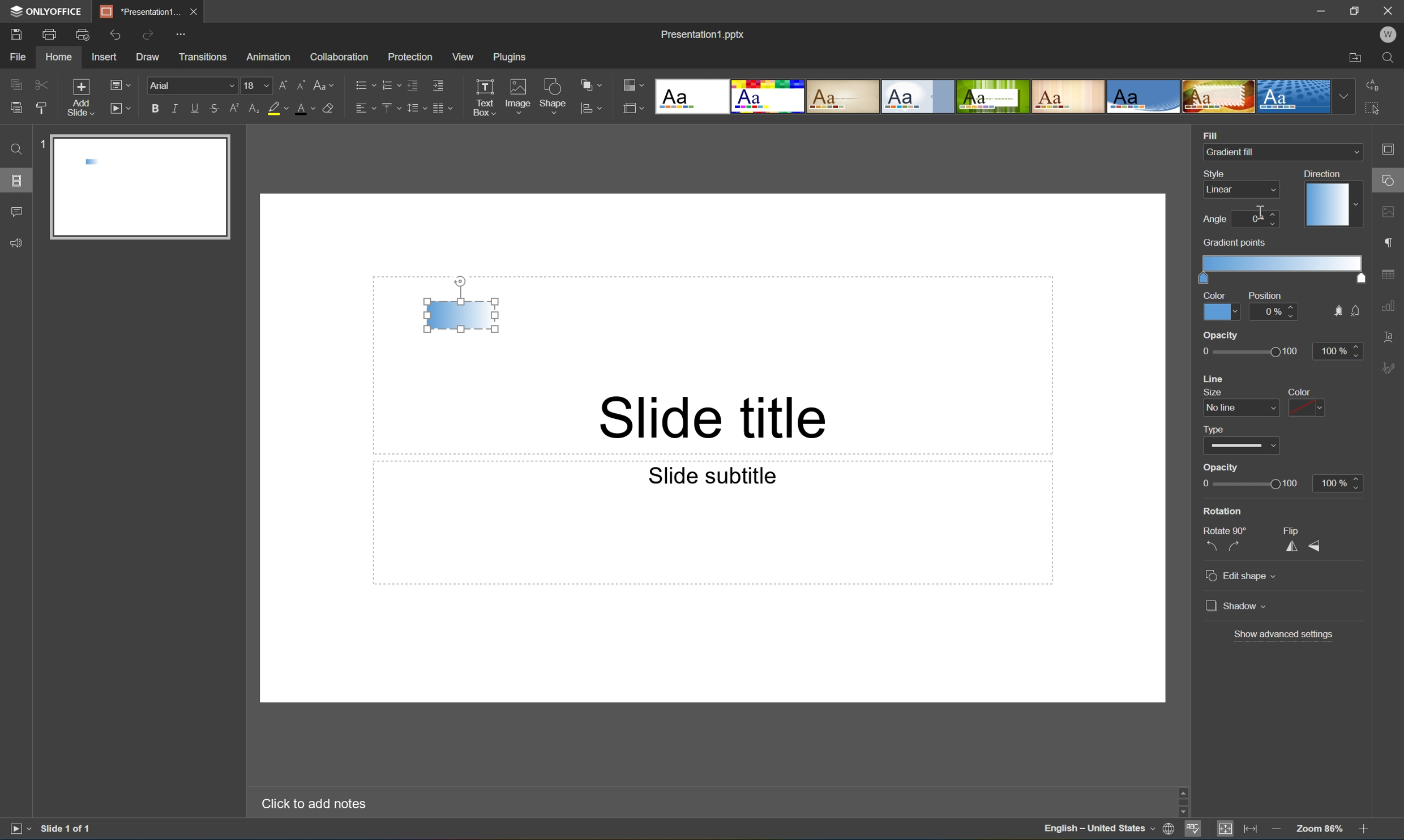 This screenshot has height=840, width=1404. Describe the element at coordinates (136, 11) in the screenshot. I see `Presentation1...` at that location.